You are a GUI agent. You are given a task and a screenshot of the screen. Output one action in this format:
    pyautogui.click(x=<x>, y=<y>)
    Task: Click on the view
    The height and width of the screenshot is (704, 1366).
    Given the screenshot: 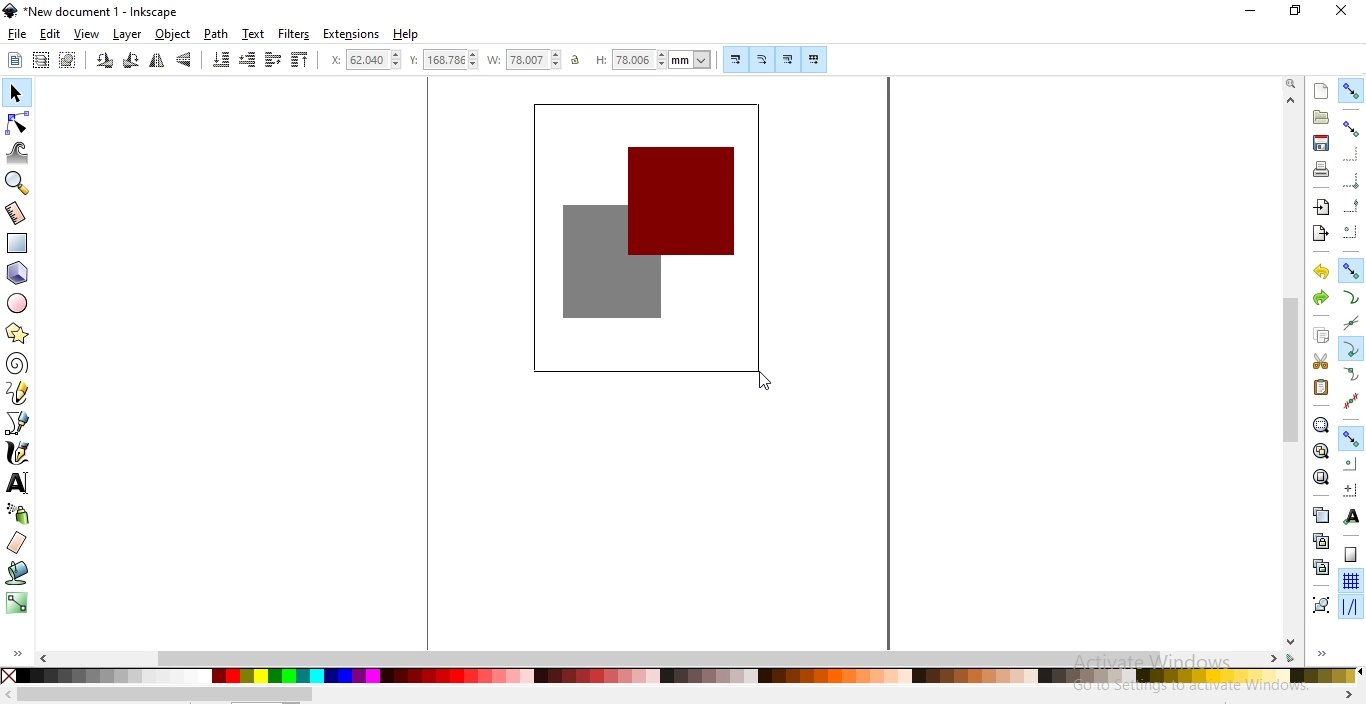 What is the action you would take?
    pyautogui.click(x=87, y=35)
    